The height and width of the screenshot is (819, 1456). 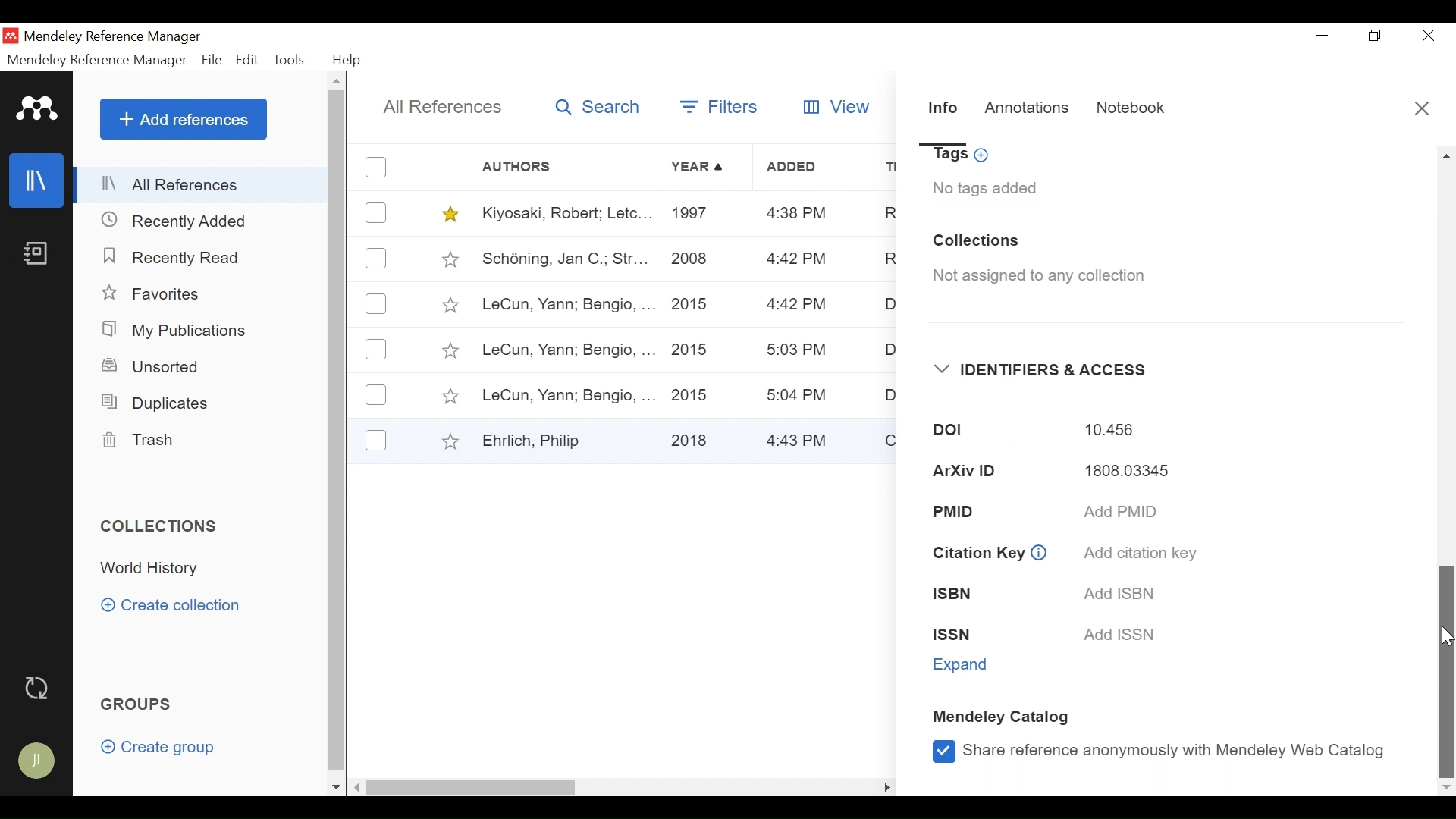 What do you see at coordinates (246, 61) in the screenshot?
I see `Edit` at bounding box center [246, 61].